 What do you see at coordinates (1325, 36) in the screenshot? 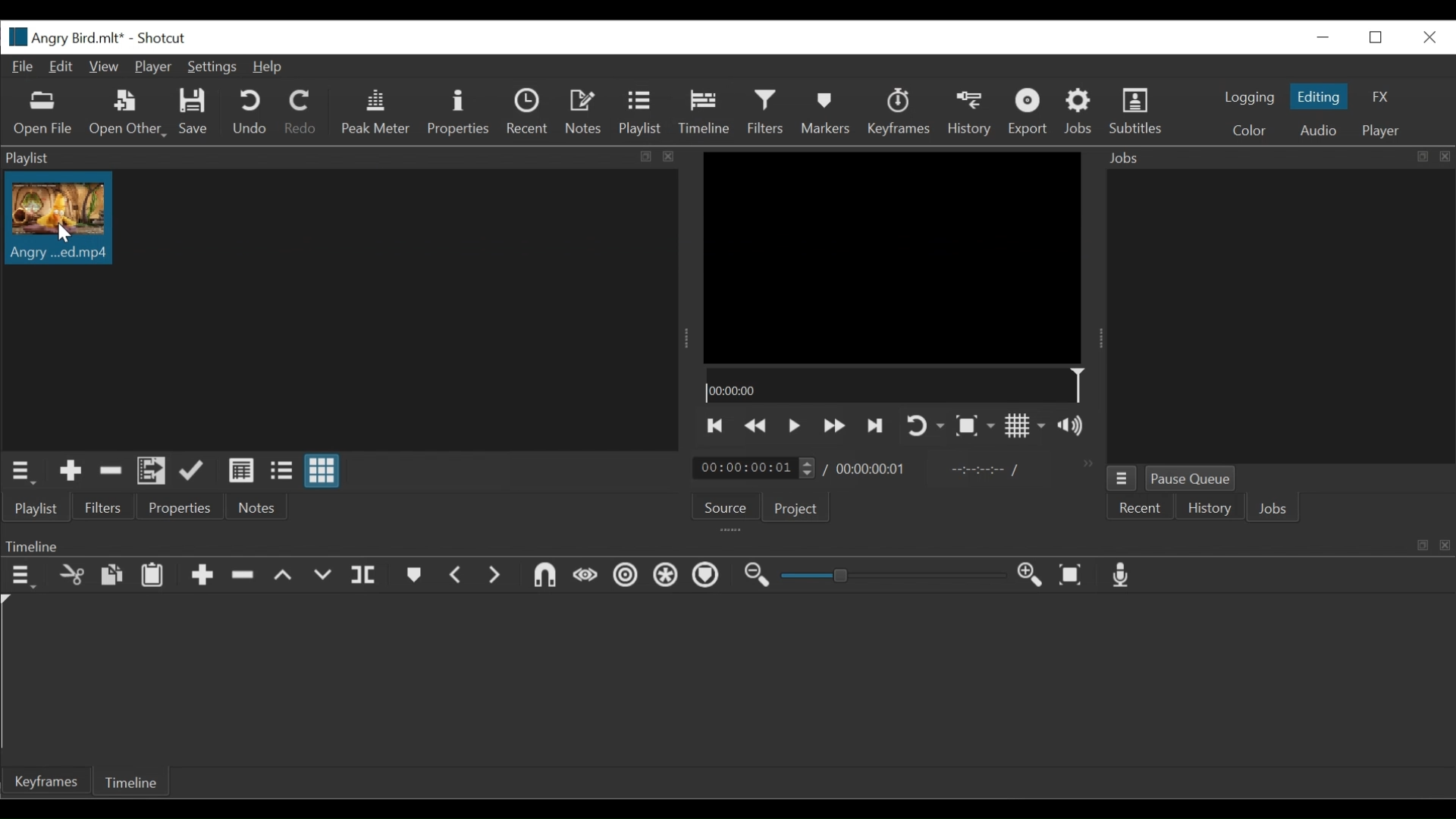
I see `minimize` at bounding box center [1325, 36].